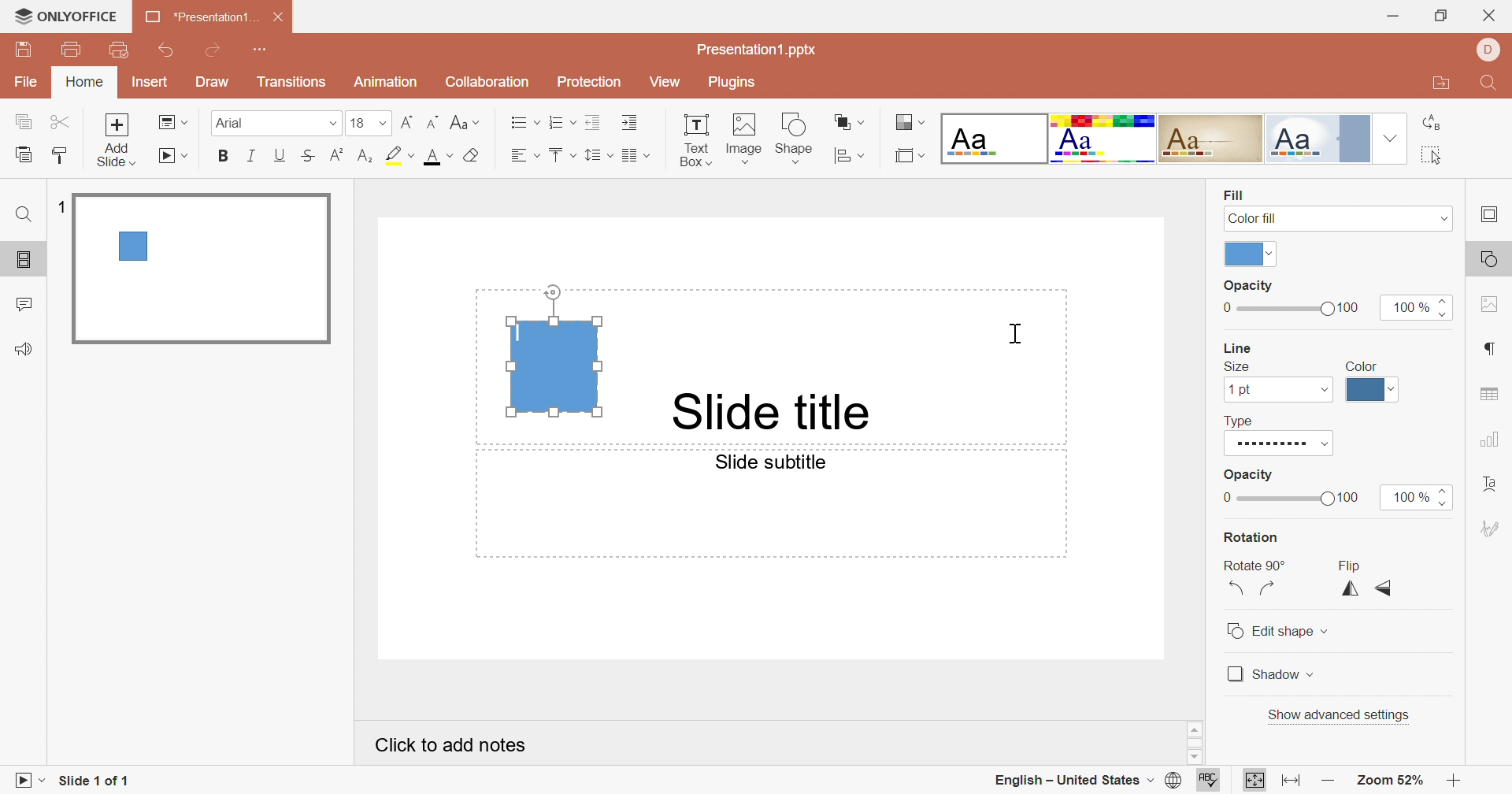  I want to click on Drop Down, so click(1273, 254).